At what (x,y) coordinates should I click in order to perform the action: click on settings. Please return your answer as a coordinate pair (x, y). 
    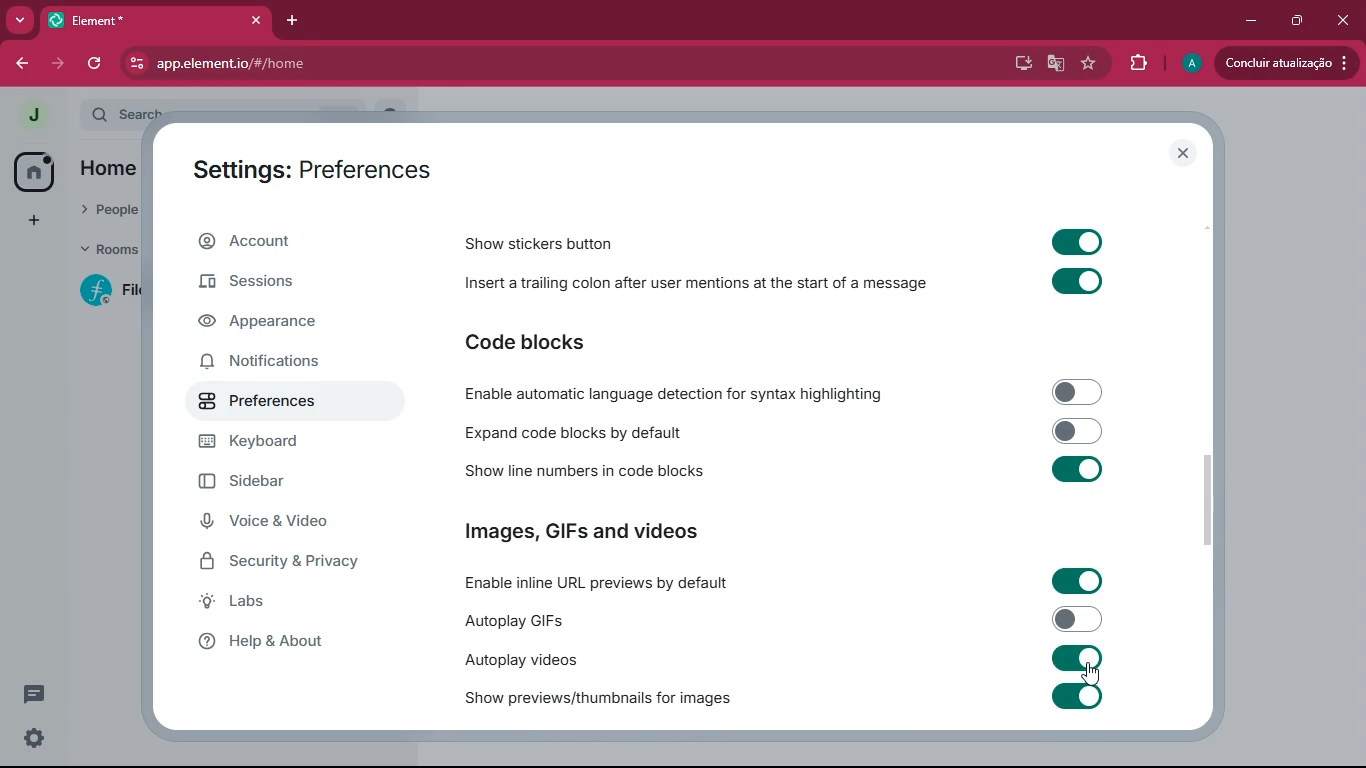
    Looking at the image, I should click on (32, 738).